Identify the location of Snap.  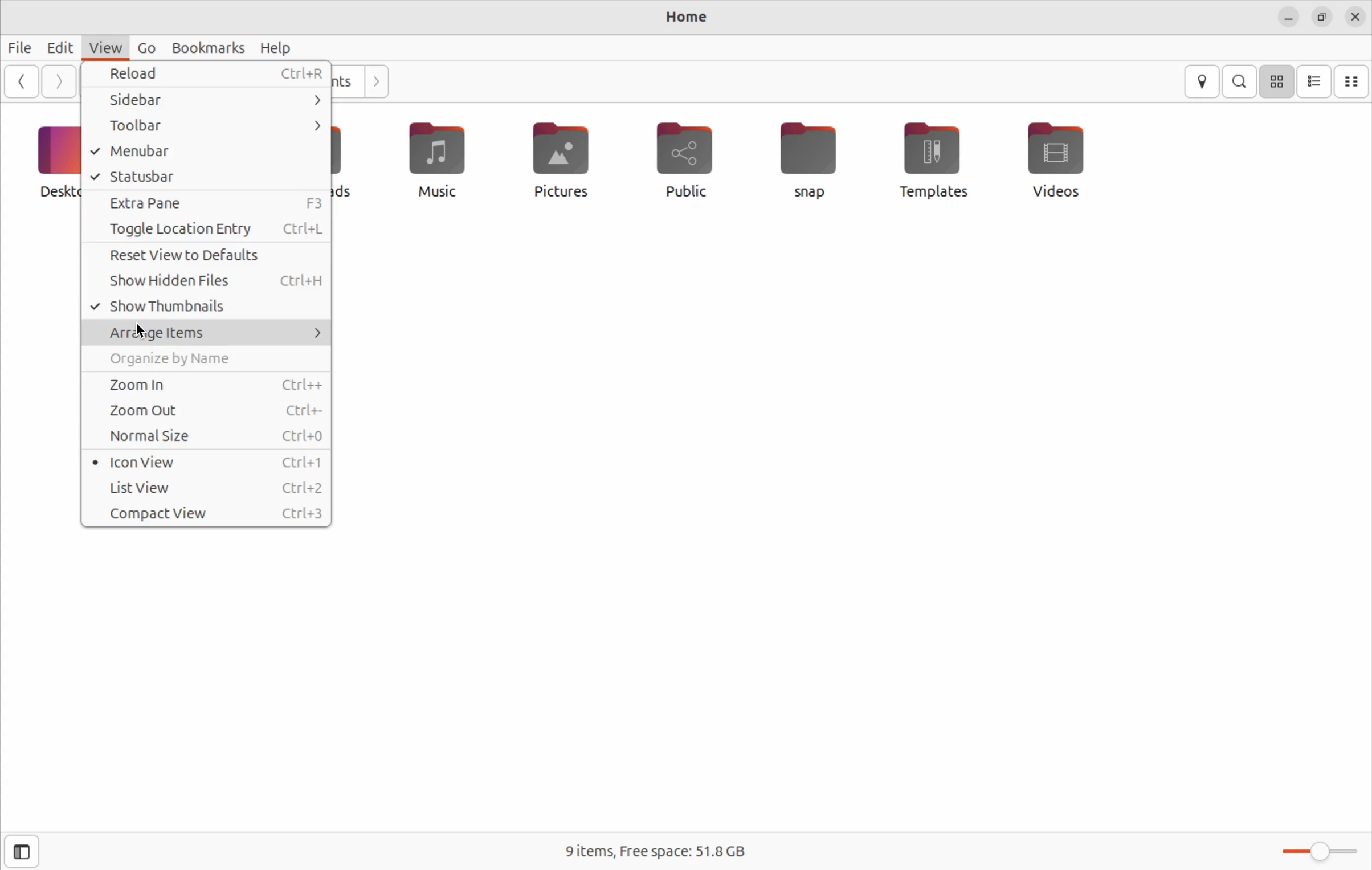
(814, 164).